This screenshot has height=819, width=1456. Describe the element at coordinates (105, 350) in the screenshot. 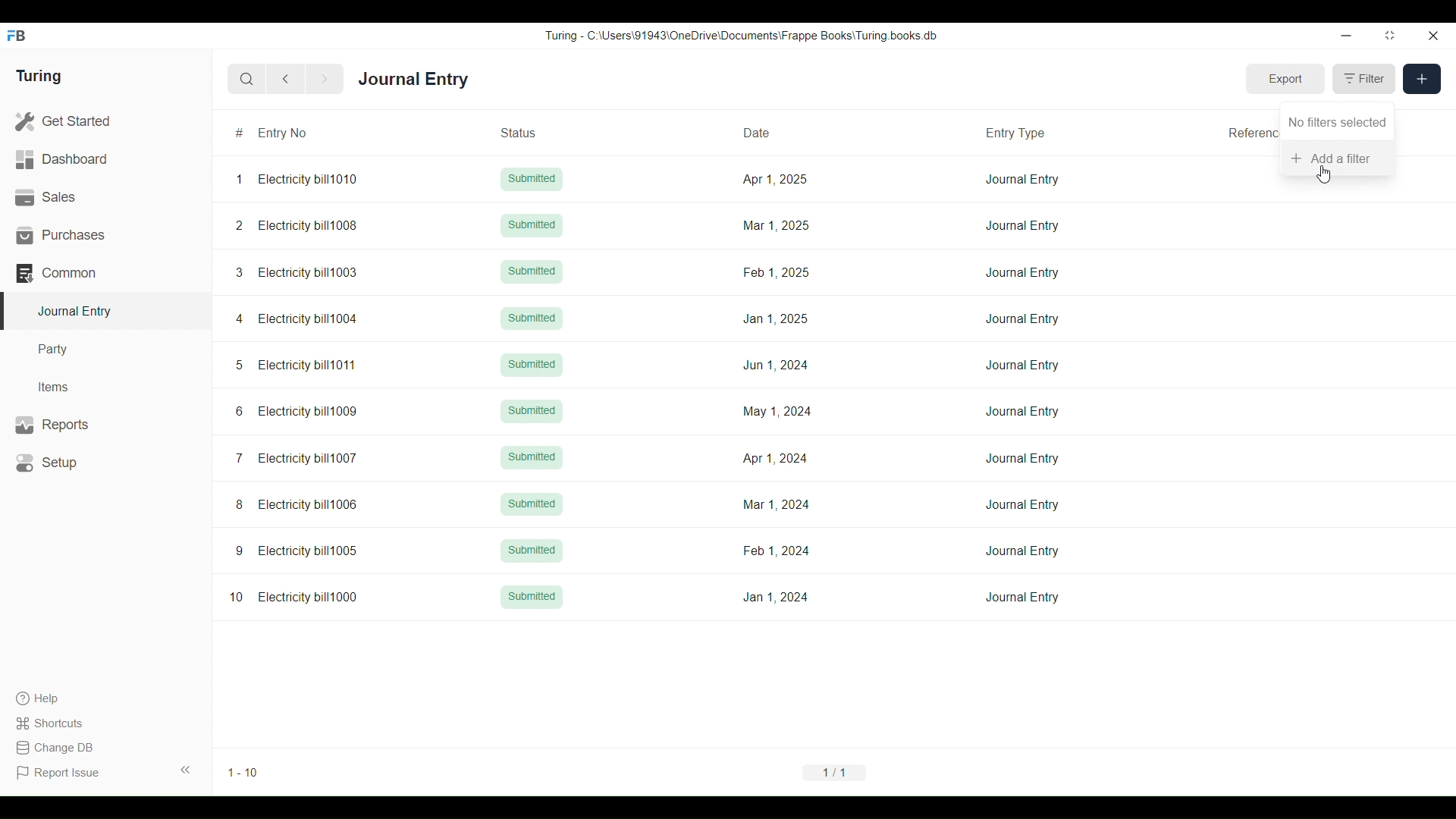

I see `Party` at that location.